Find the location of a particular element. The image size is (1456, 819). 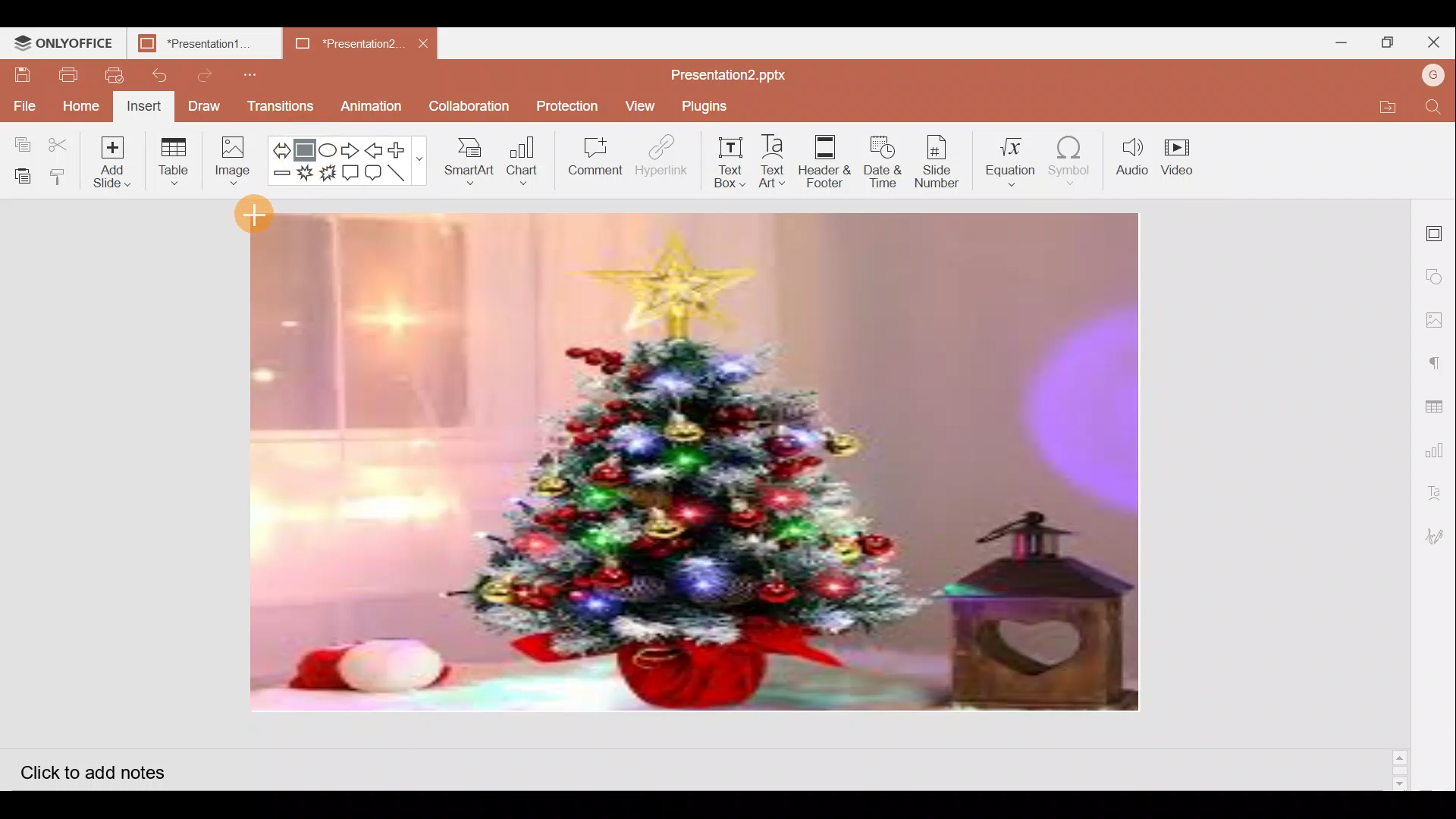

Copy is located at coordinates (21, 137).